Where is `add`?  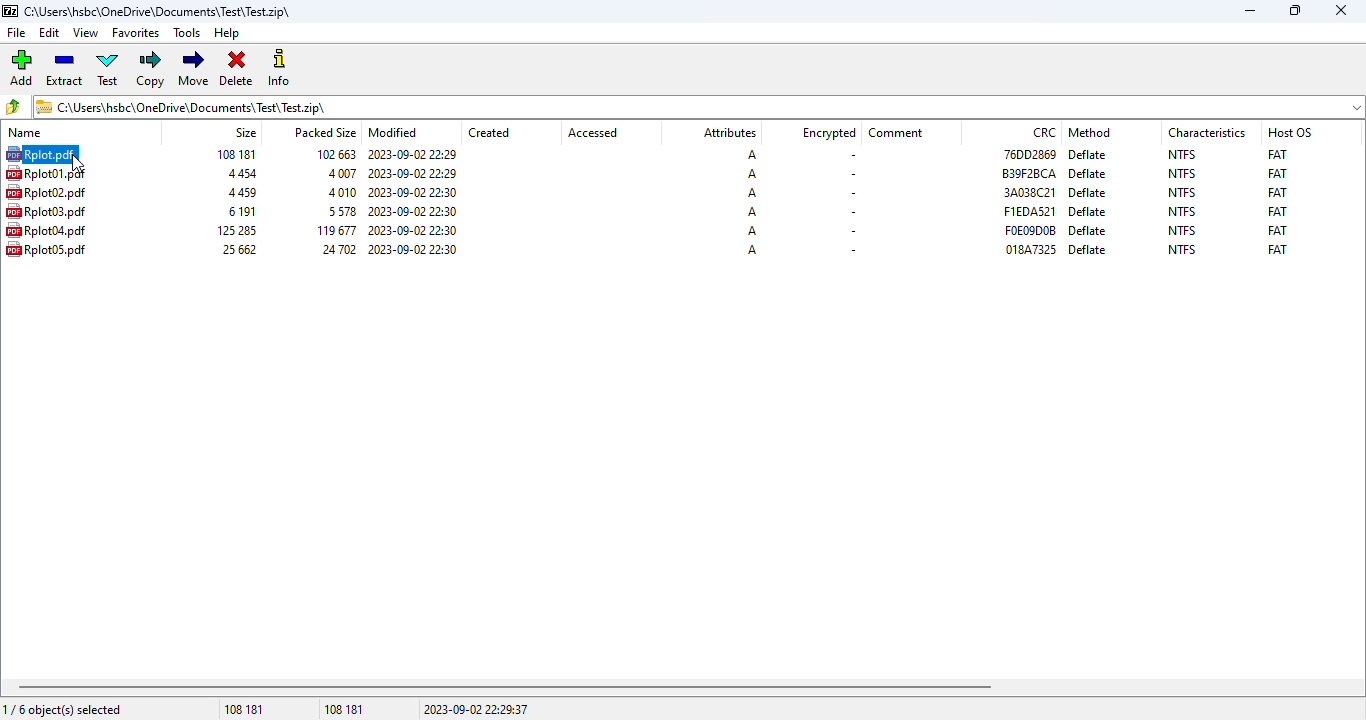
add is located at coordinates (21, 68).